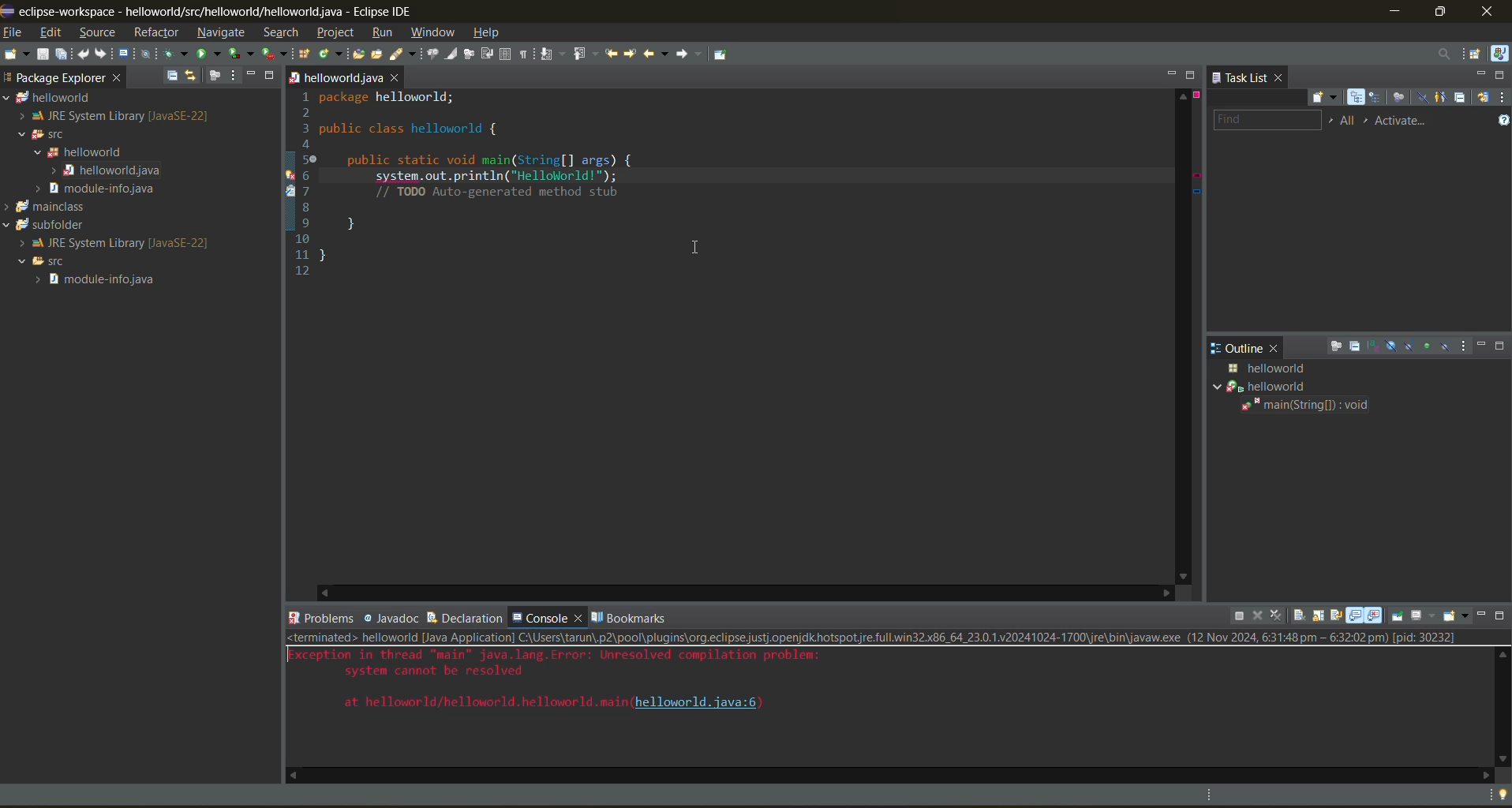 This screenshot has width=1512, height=808. What do you see at coordinates (172, 77) in the screenshot?
I see `collapse all` at bounding box center [172, 77].